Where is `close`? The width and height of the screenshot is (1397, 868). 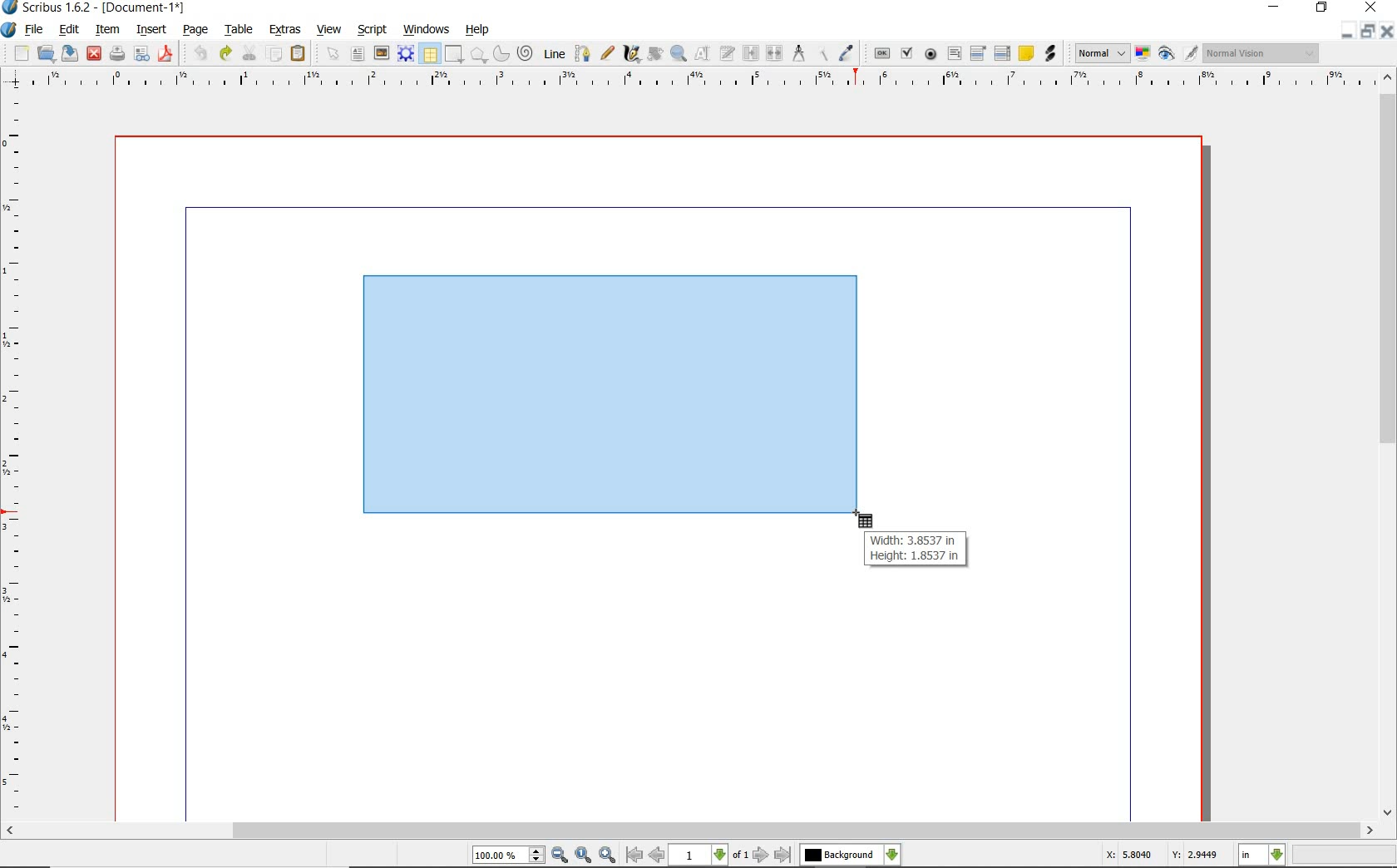 close is located at coordinates (93, 52).